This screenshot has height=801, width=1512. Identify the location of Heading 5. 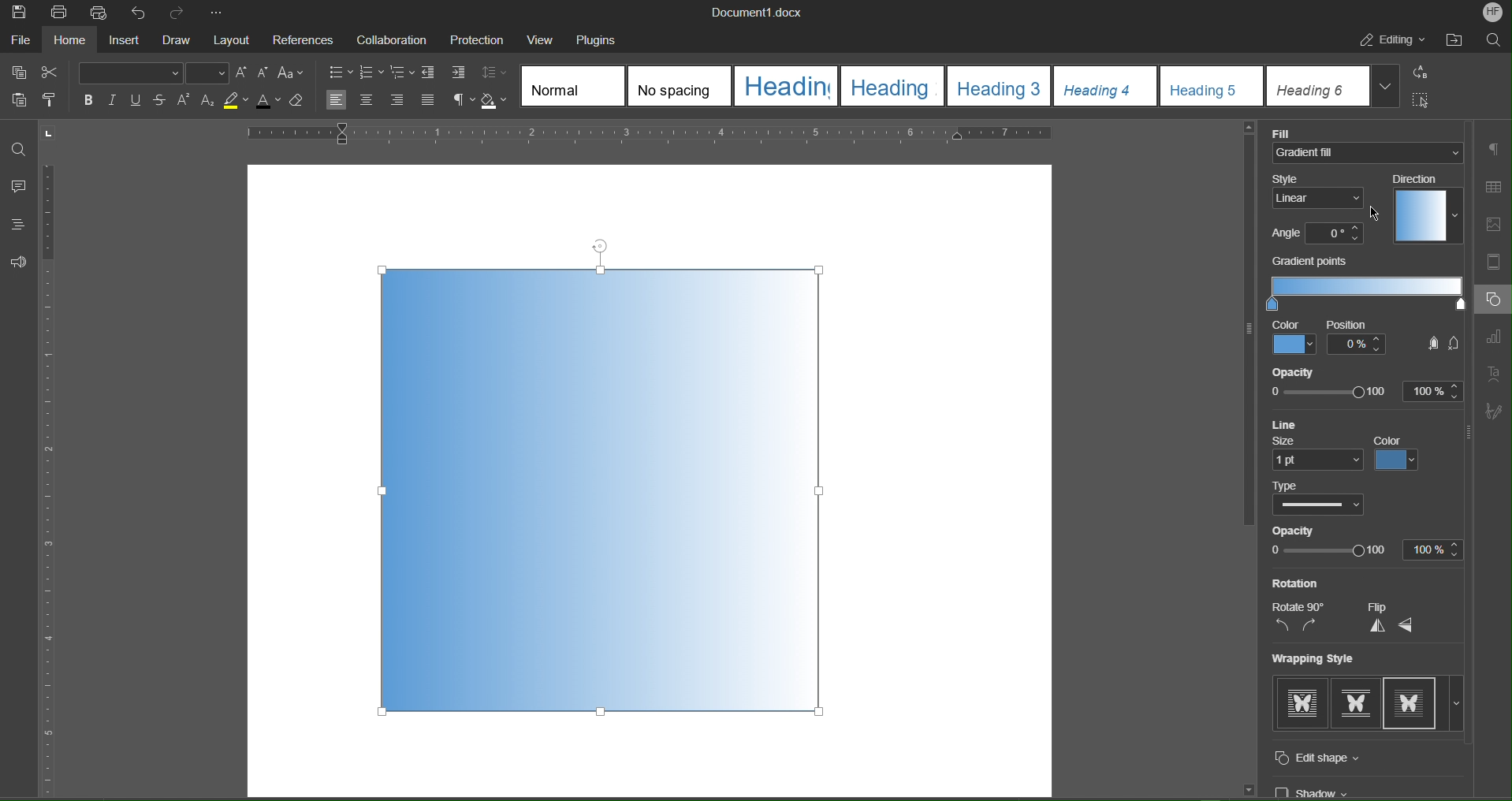
(1212, 86).